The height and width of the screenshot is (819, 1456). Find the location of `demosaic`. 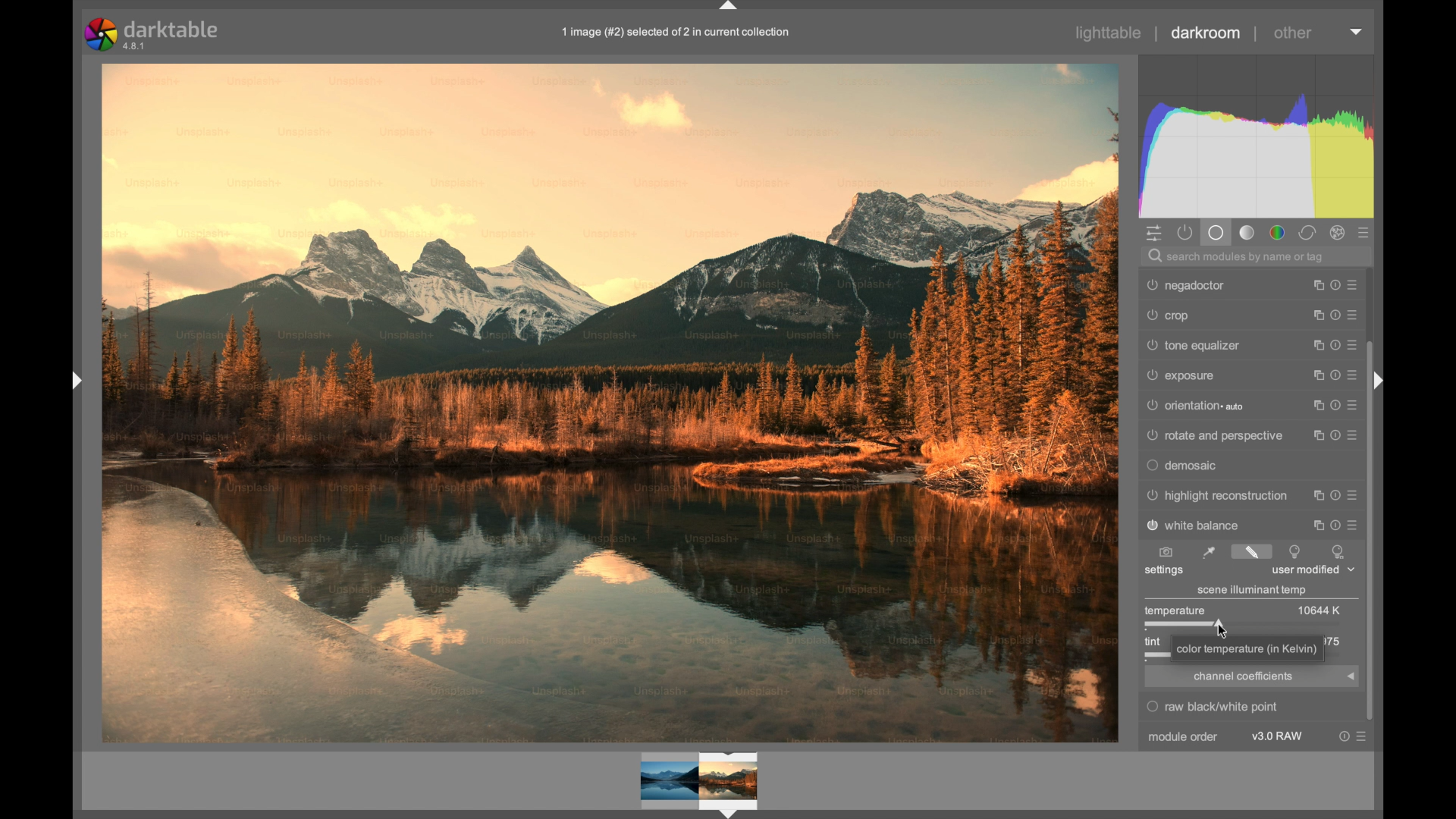

demosaic is located at coordinates (1181, 465).